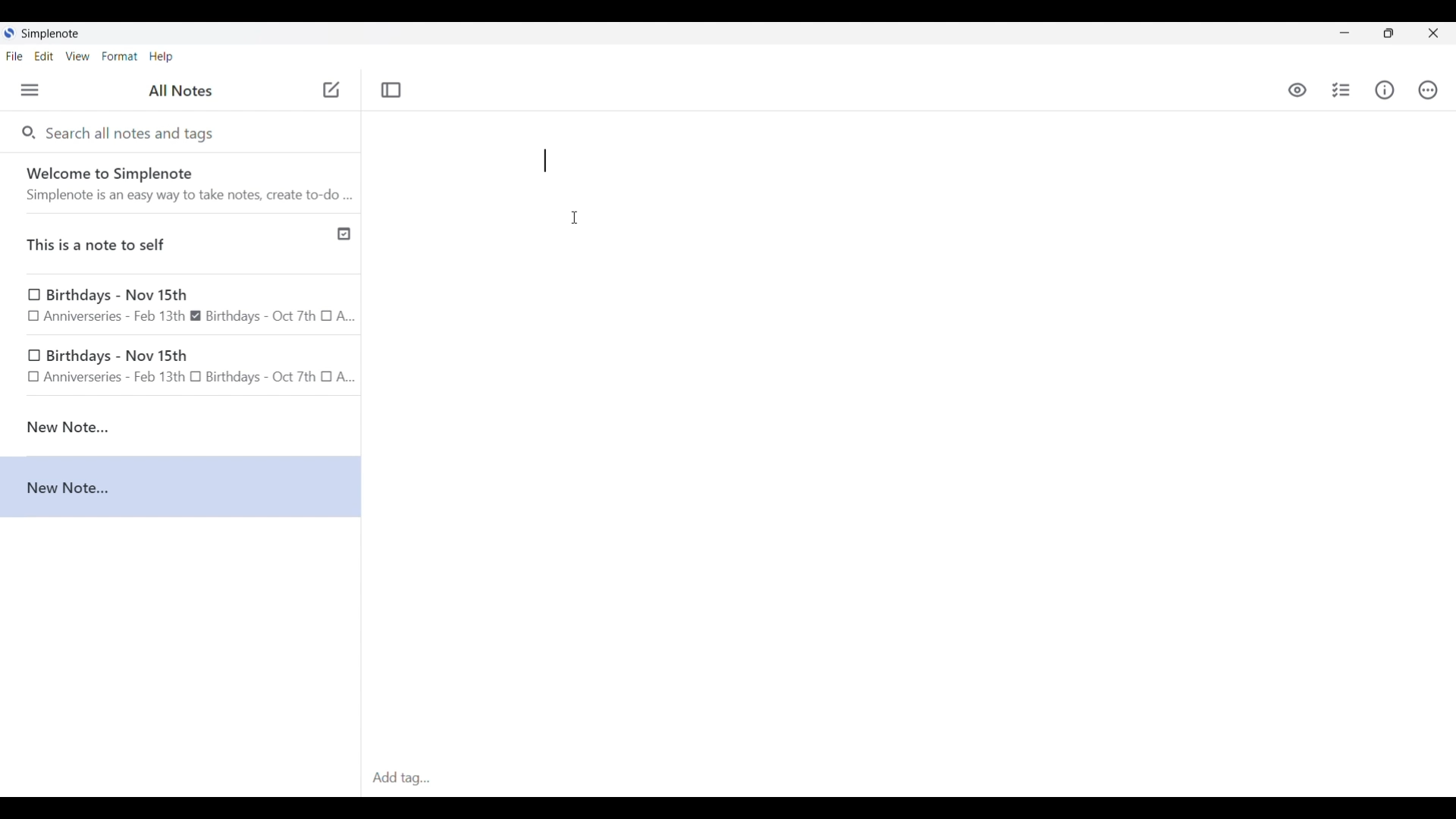 This screenshot has height=819, width=1456. What do you see at coordinates (182, 244) in the screenshot?
I see `Published note indicated by check icon` at bounding box center [182, 244].